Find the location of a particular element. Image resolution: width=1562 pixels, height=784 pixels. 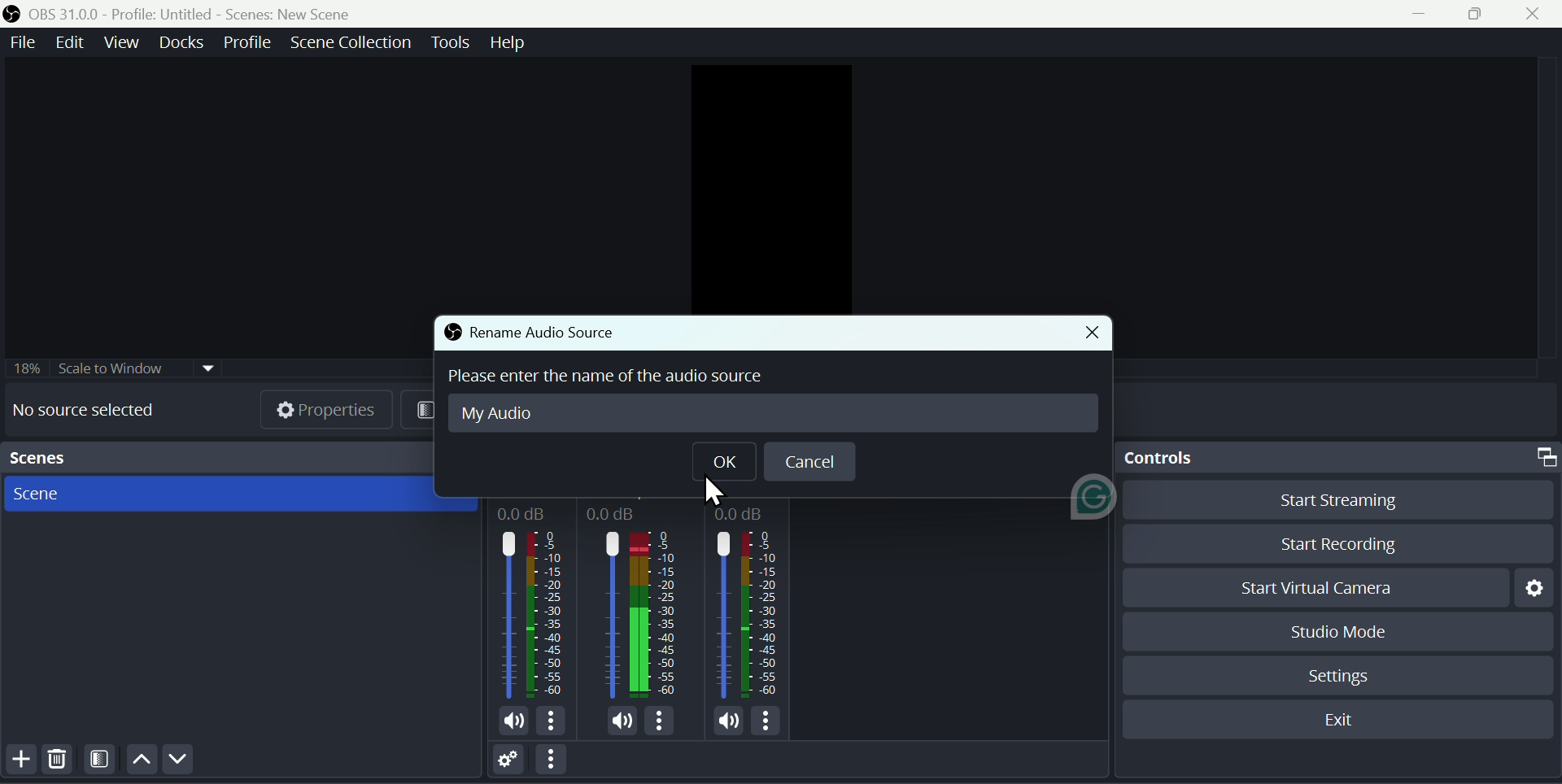

cursor is located at coordinates (704, 491).